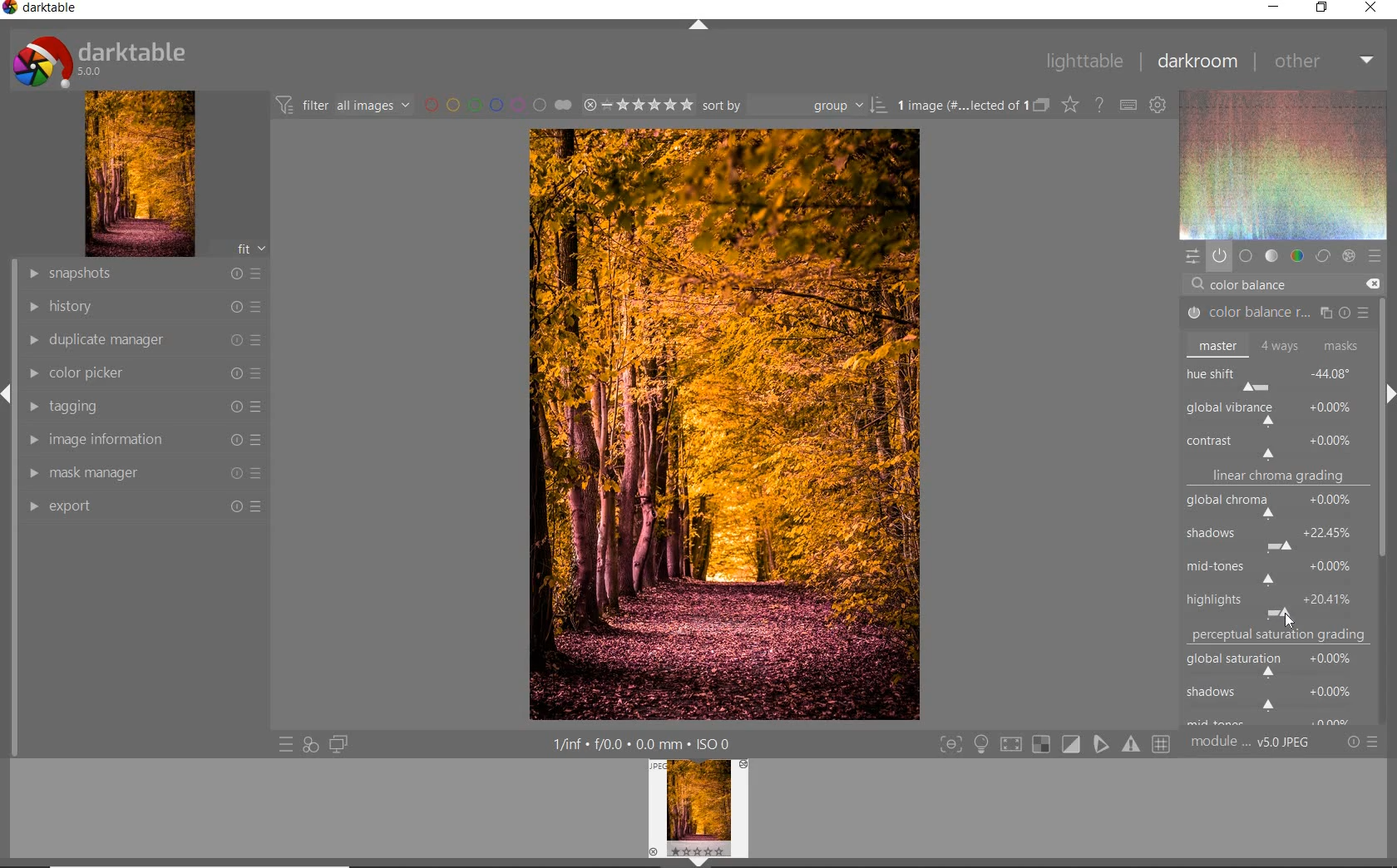 The width and height of the screenshot is (1397, 868). Describe the element at coordinates (794, 106) in the screenshot. I see `sort` at that location.